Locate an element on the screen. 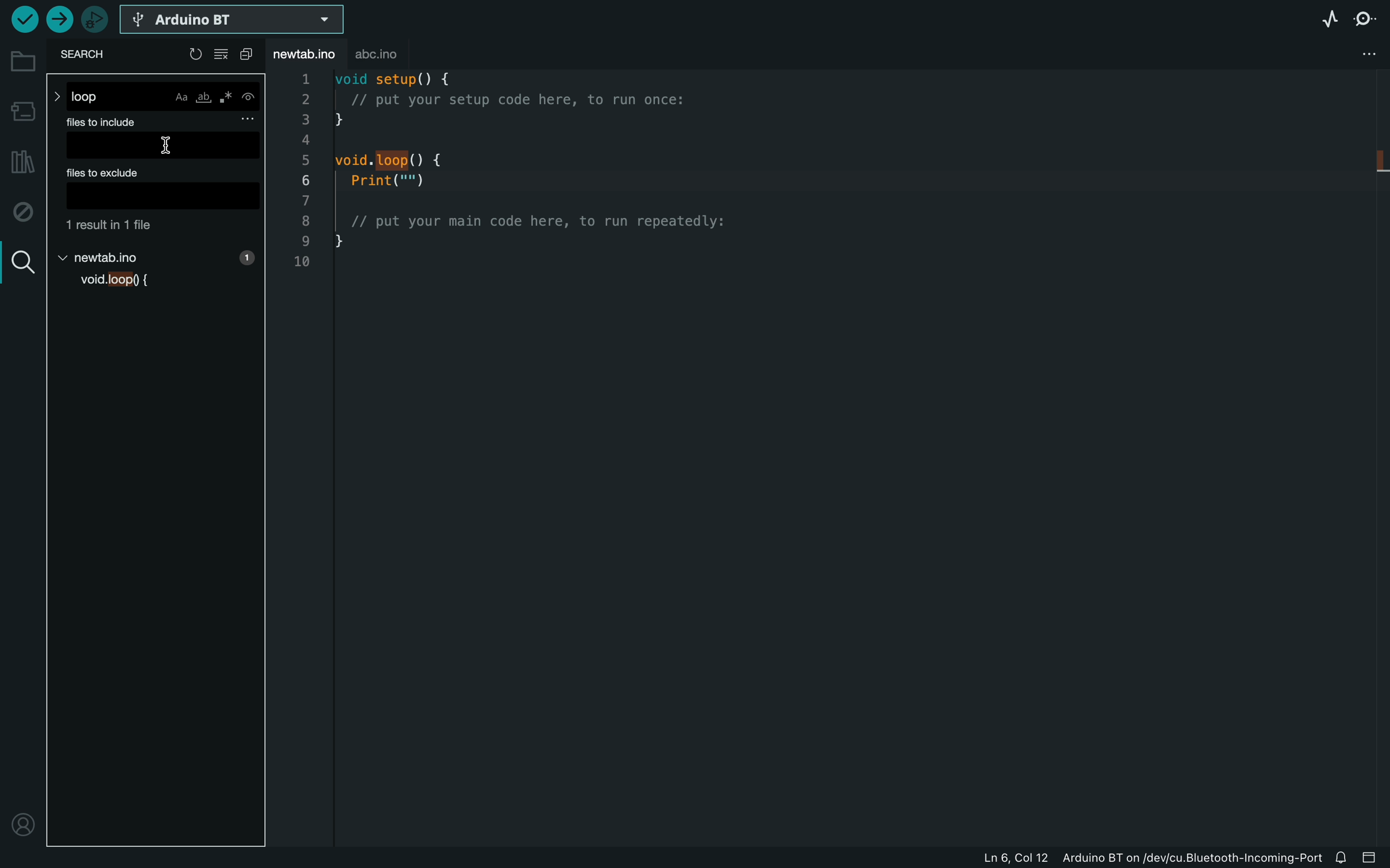  files to exclude is located at coordinates (158, 173).